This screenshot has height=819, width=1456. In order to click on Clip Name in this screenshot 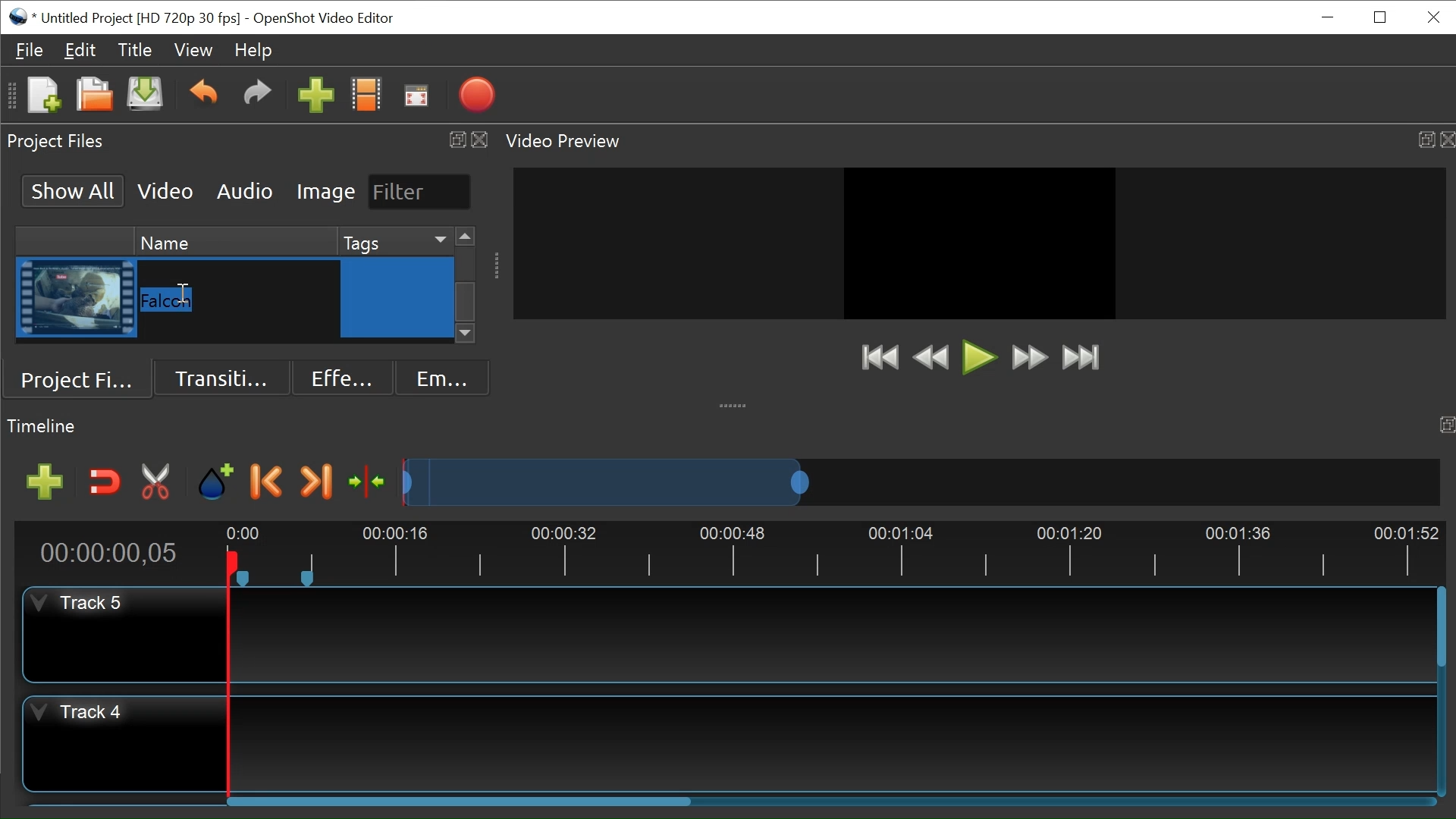, I will do `click(240, 299)`.